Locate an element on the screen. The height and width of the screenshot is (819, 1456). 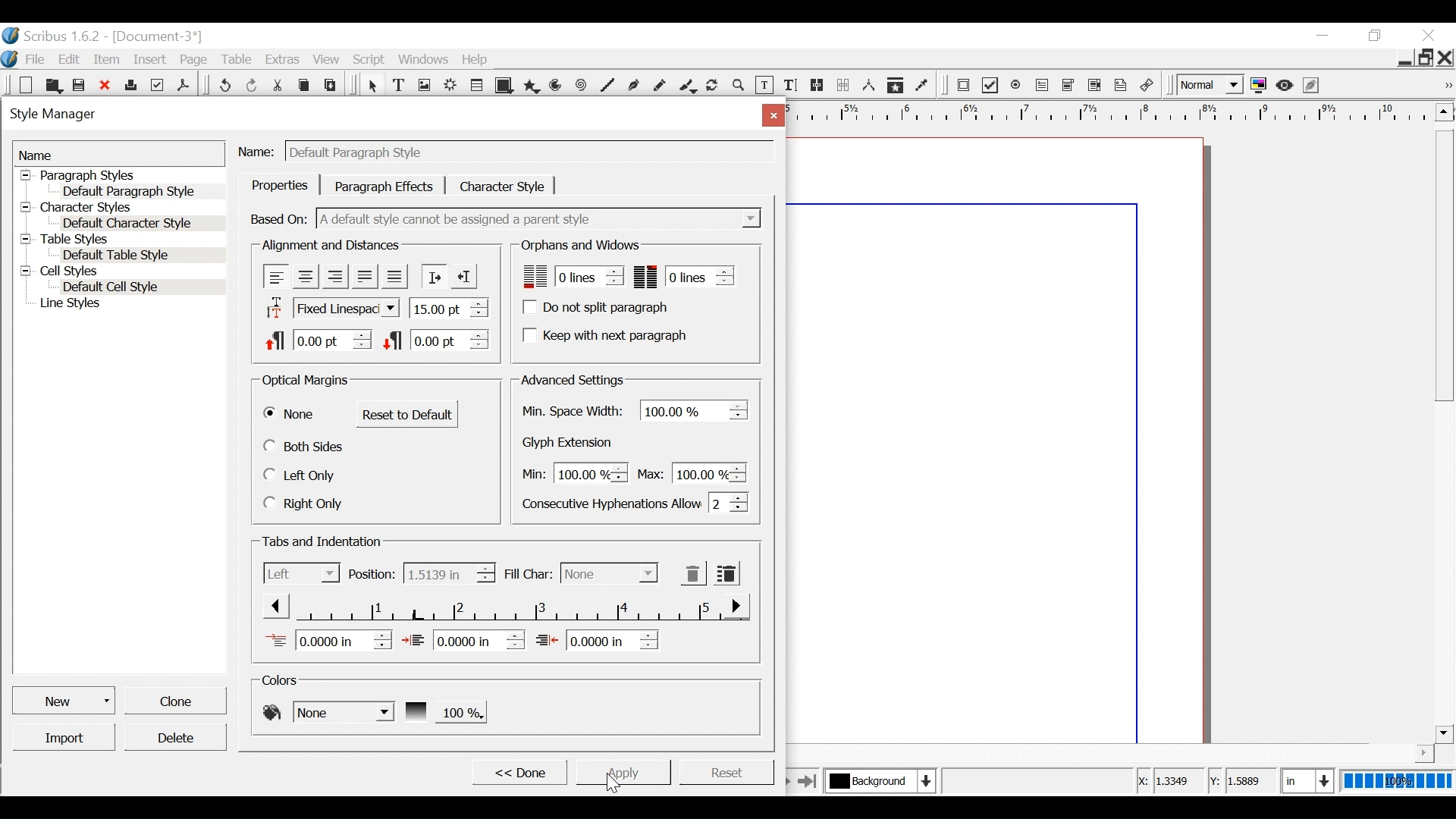
link Annotation is located at coordinates (1147, 86).